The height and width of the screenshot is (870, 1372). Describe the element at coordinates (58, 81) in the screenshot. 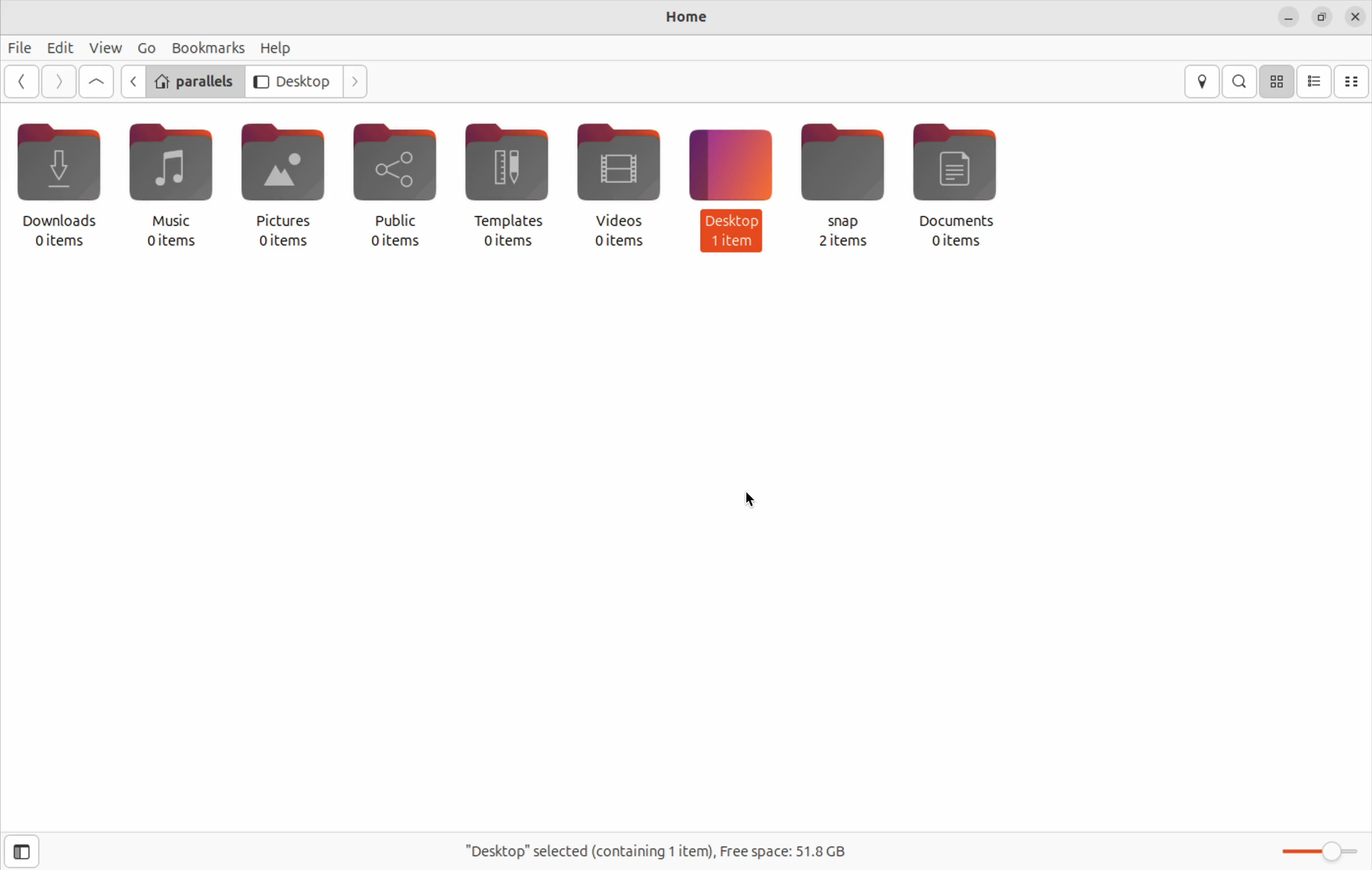

I see `Go next` at that location.